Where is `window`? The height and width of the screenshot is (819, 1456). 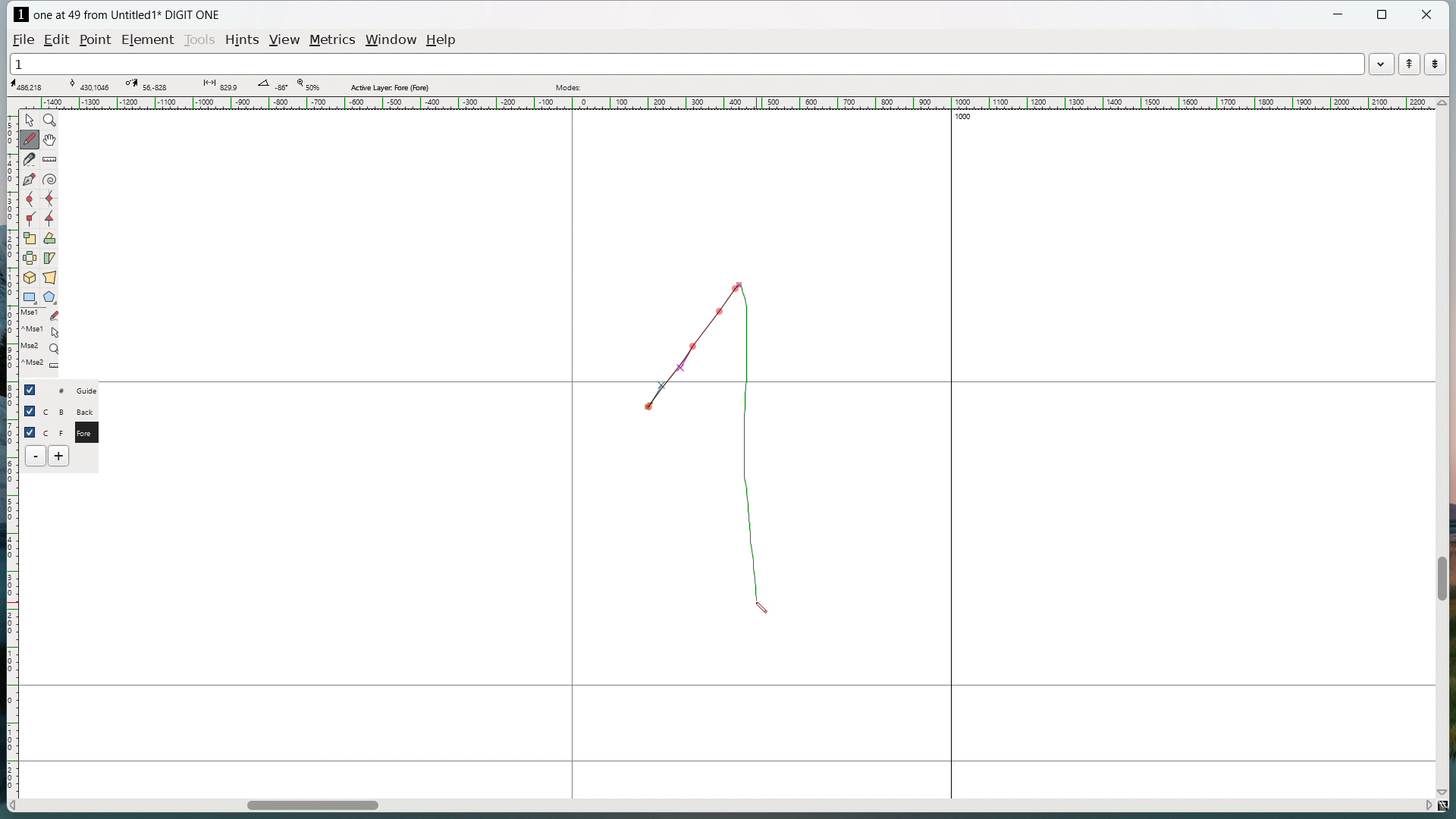 window is located at coordinates (393, 39).